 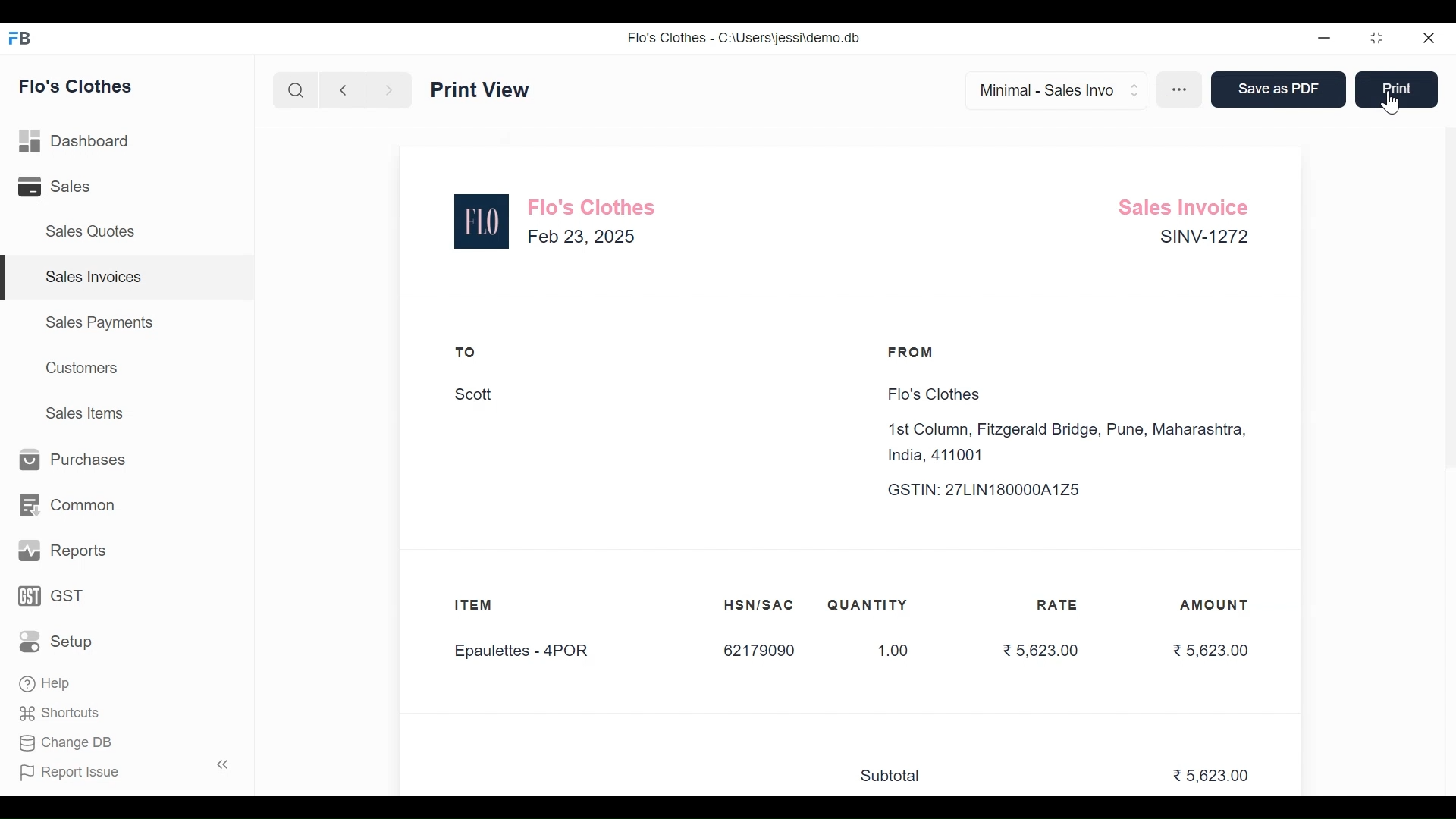 What do you see at coordinates (64, 742) in the screenshot?
I see `Change DB` at bounding box center [64, 742].